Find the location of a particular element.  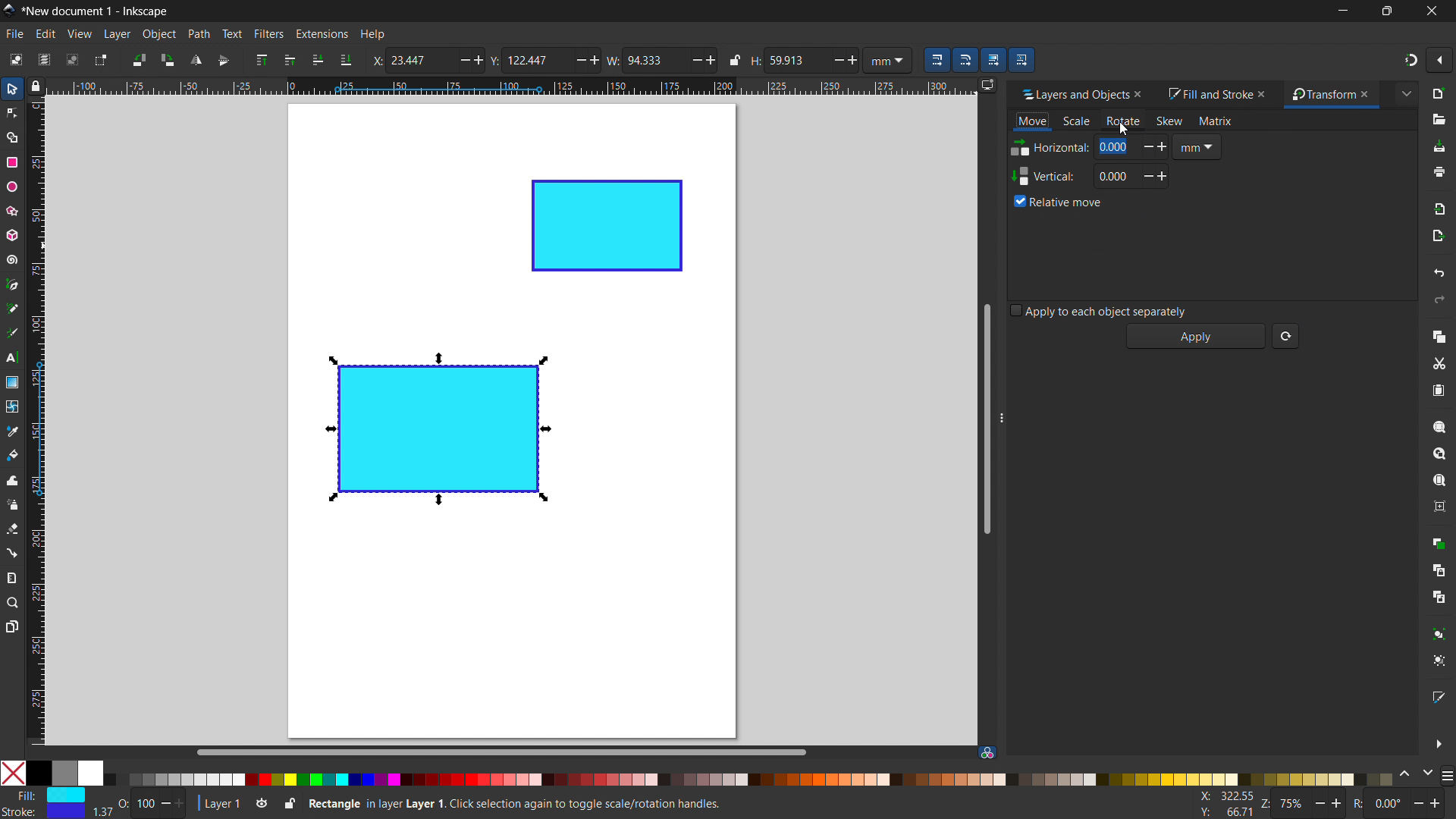

when scaling rectangle, scale the radii of the rounded corners is located at coordinates (965, 60).